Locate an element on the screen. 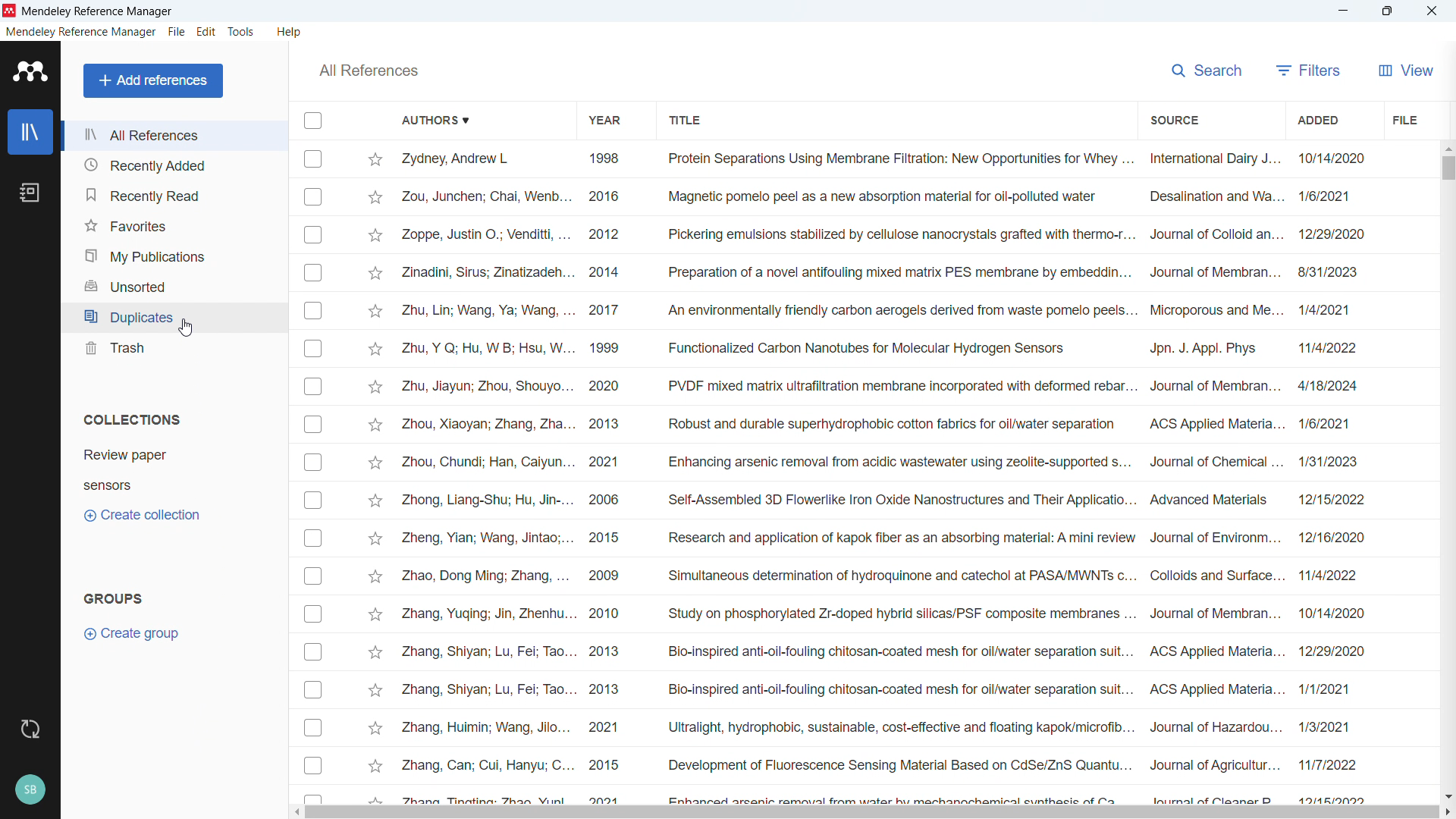  Star Mark individual entries  is located at coordinates (375, 475).